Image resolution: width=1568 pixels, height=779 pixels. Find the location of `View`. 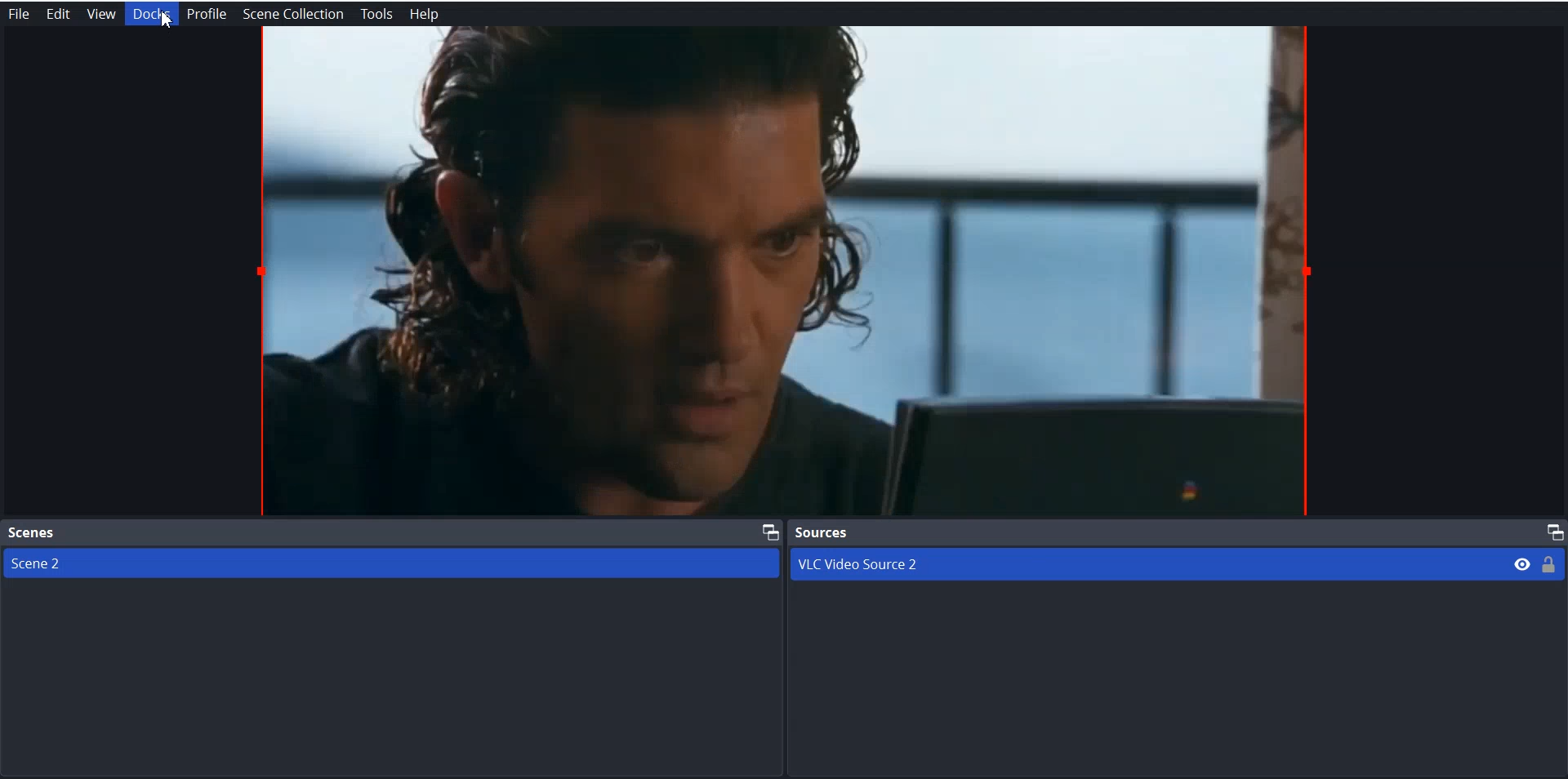

View is located at coordinates (100, 14).